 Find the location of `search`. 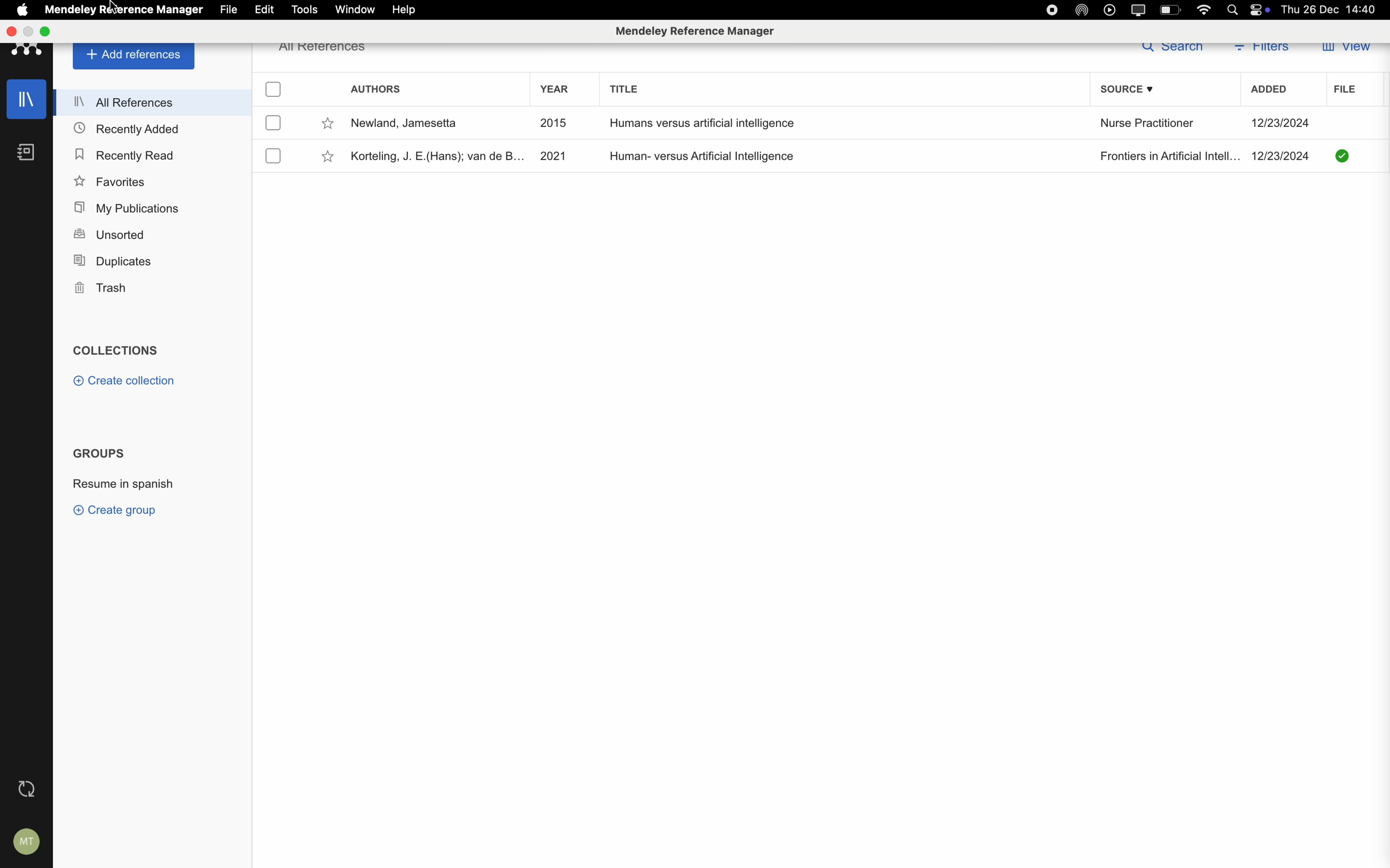

search is located at coordinates (1171, 49).